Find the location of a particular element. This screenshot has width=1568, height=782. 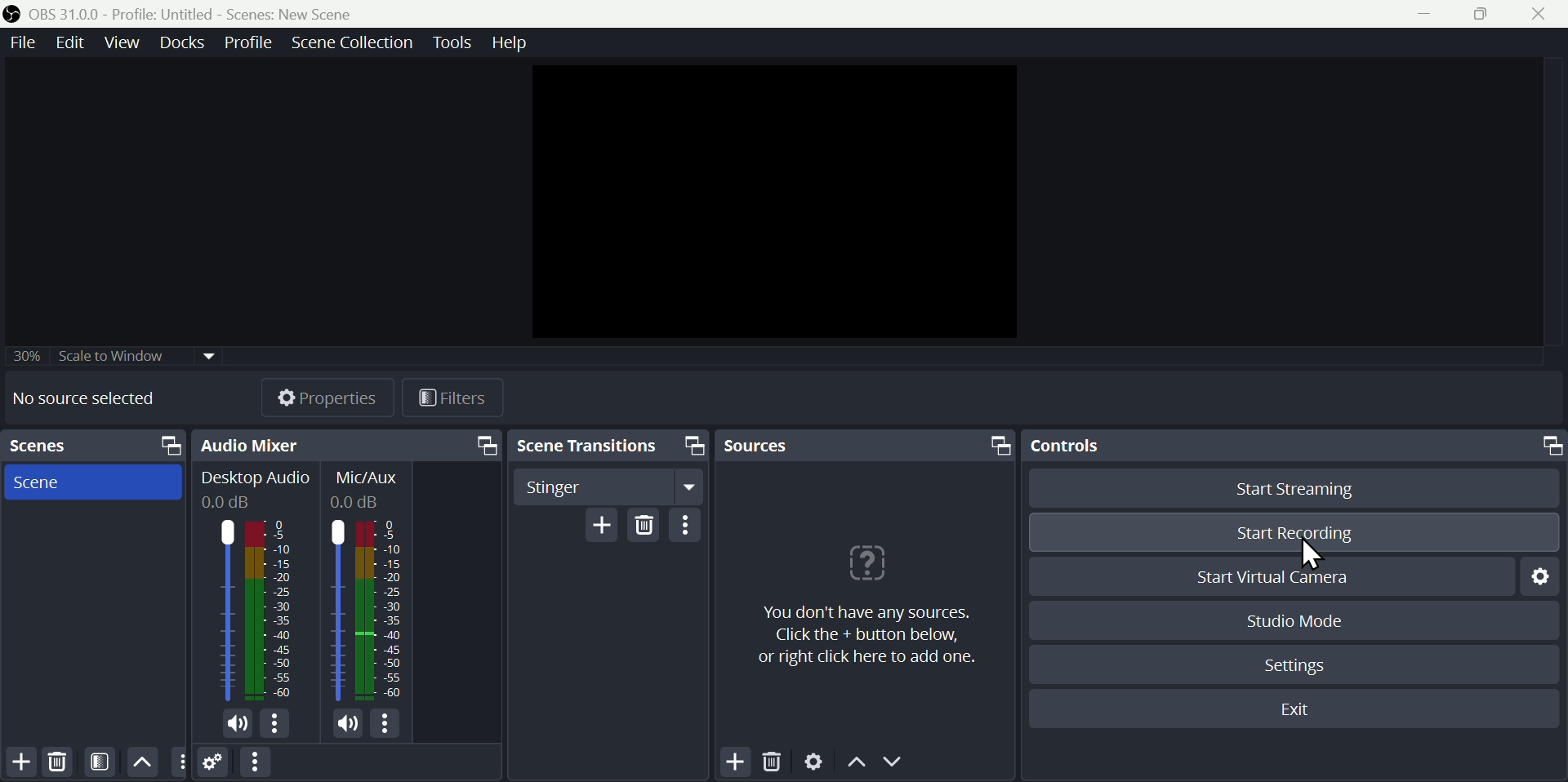

maximize is located at coordinates (693, 445).